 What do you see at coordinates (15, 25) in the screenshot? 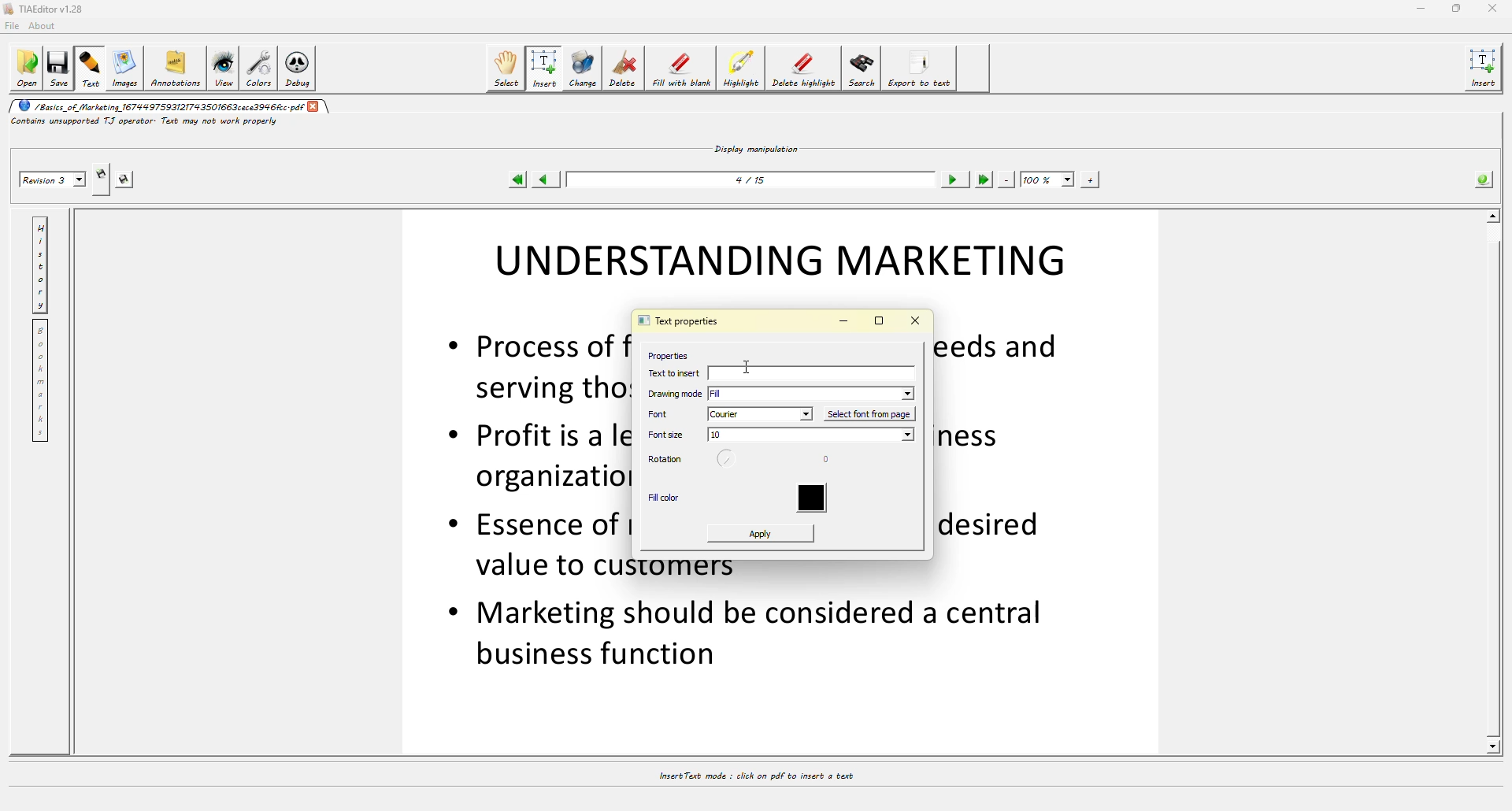
I see `file` at bounding box center [15, 25].